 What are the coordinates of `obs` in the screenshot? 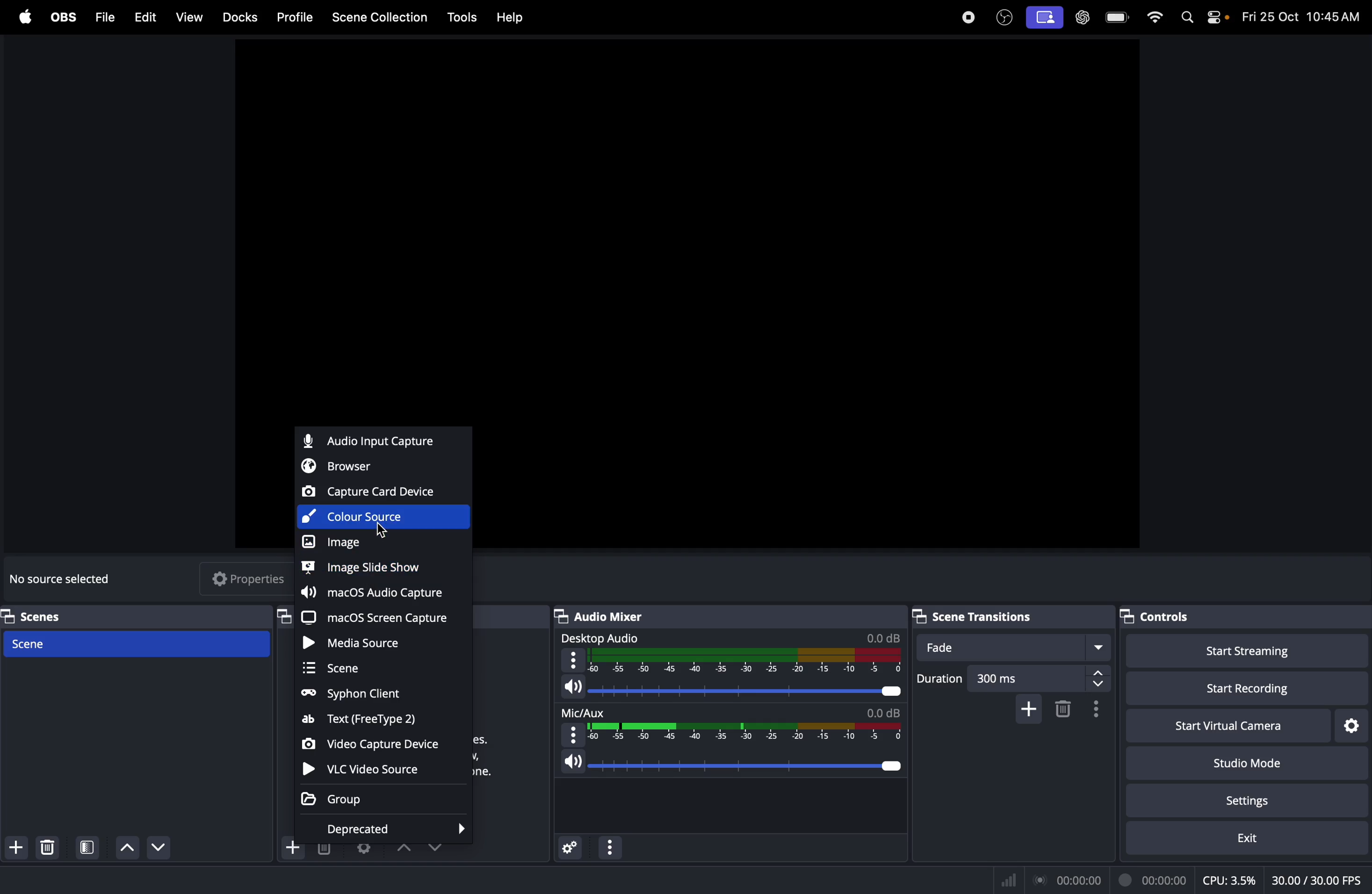 It's located at (1004, 16).